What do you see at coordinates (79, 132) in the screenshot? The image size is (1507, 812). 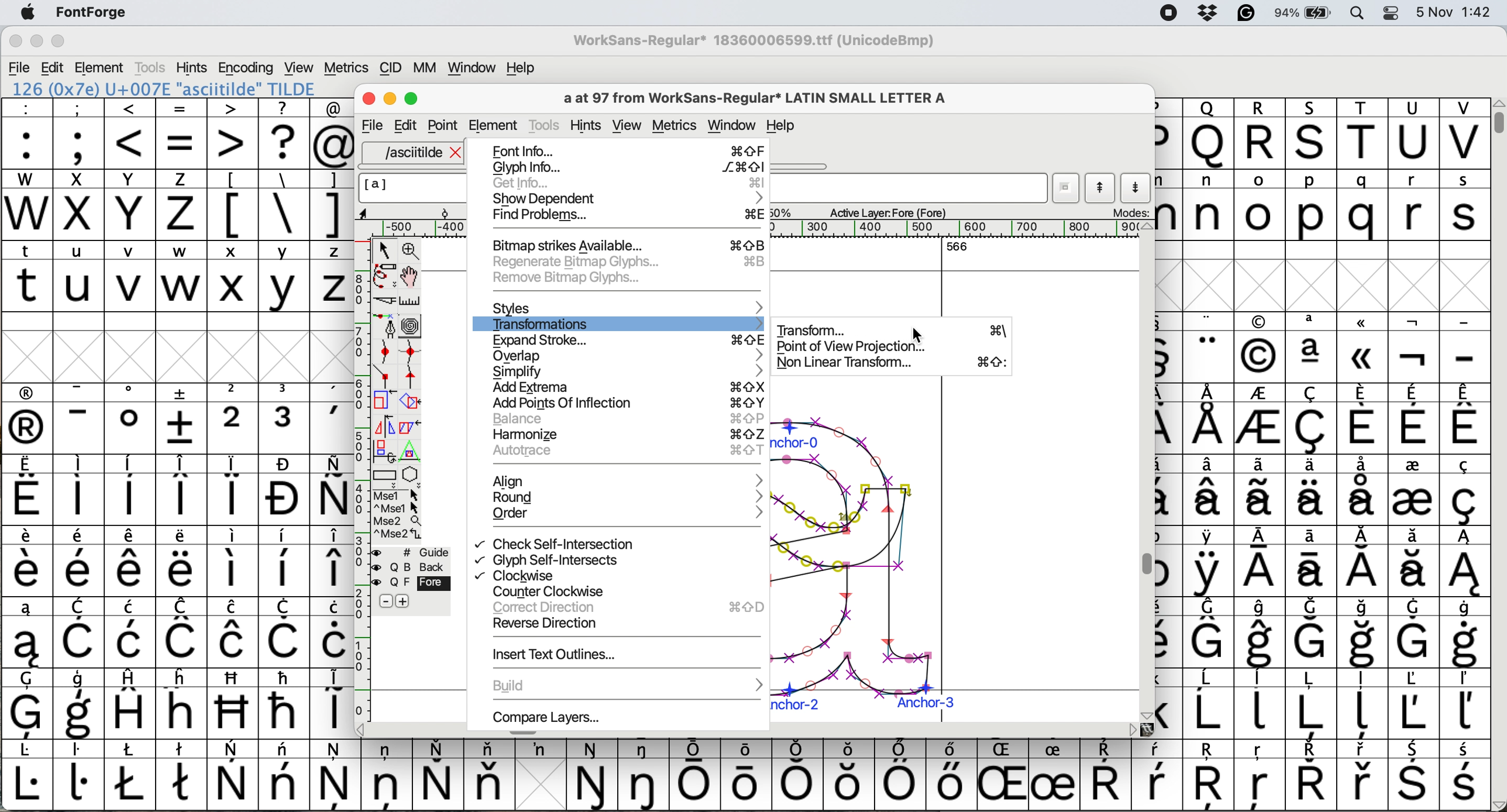 I see `;` at bounding box center [79, 132].